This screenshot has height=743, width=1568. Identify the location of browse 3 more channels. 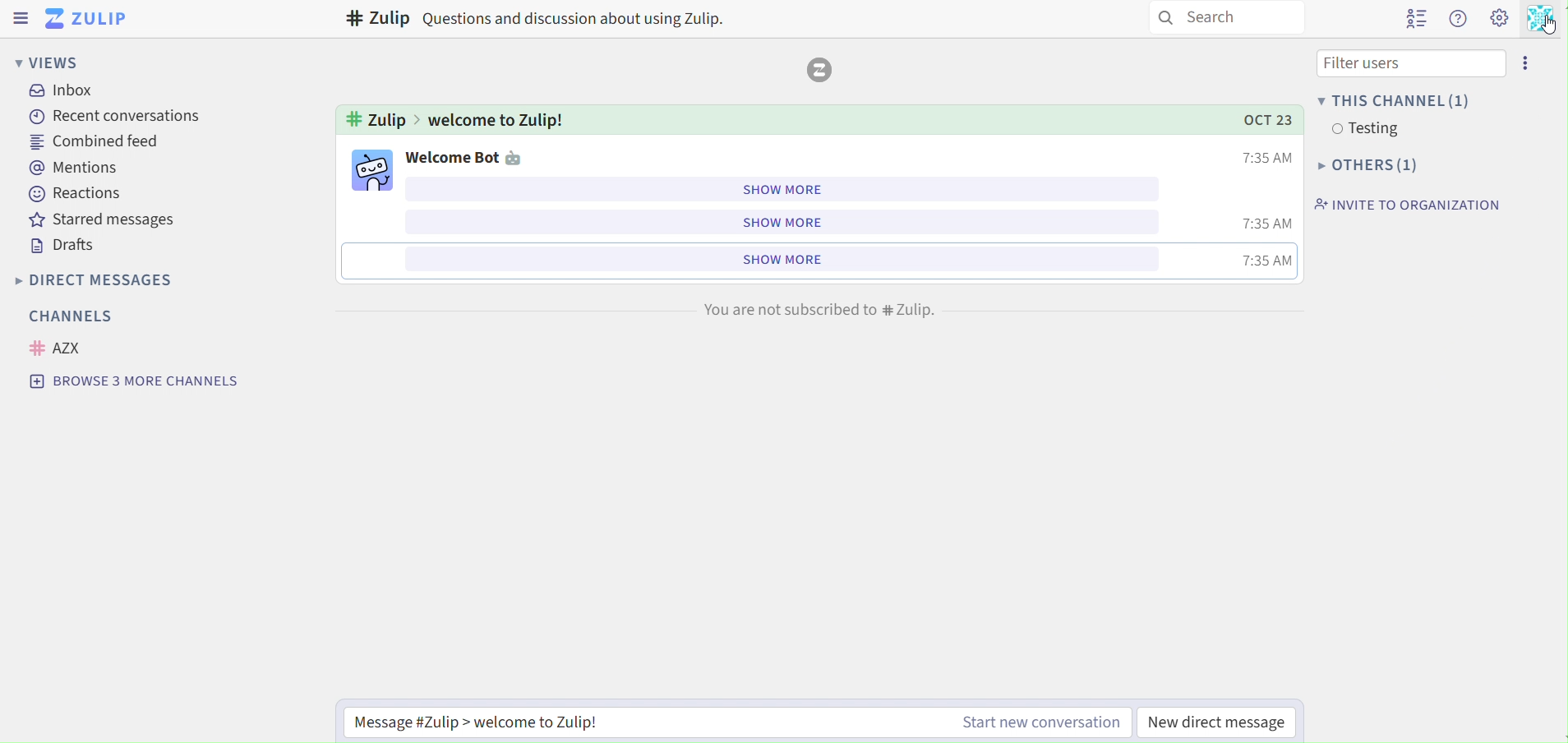
(135, 381).